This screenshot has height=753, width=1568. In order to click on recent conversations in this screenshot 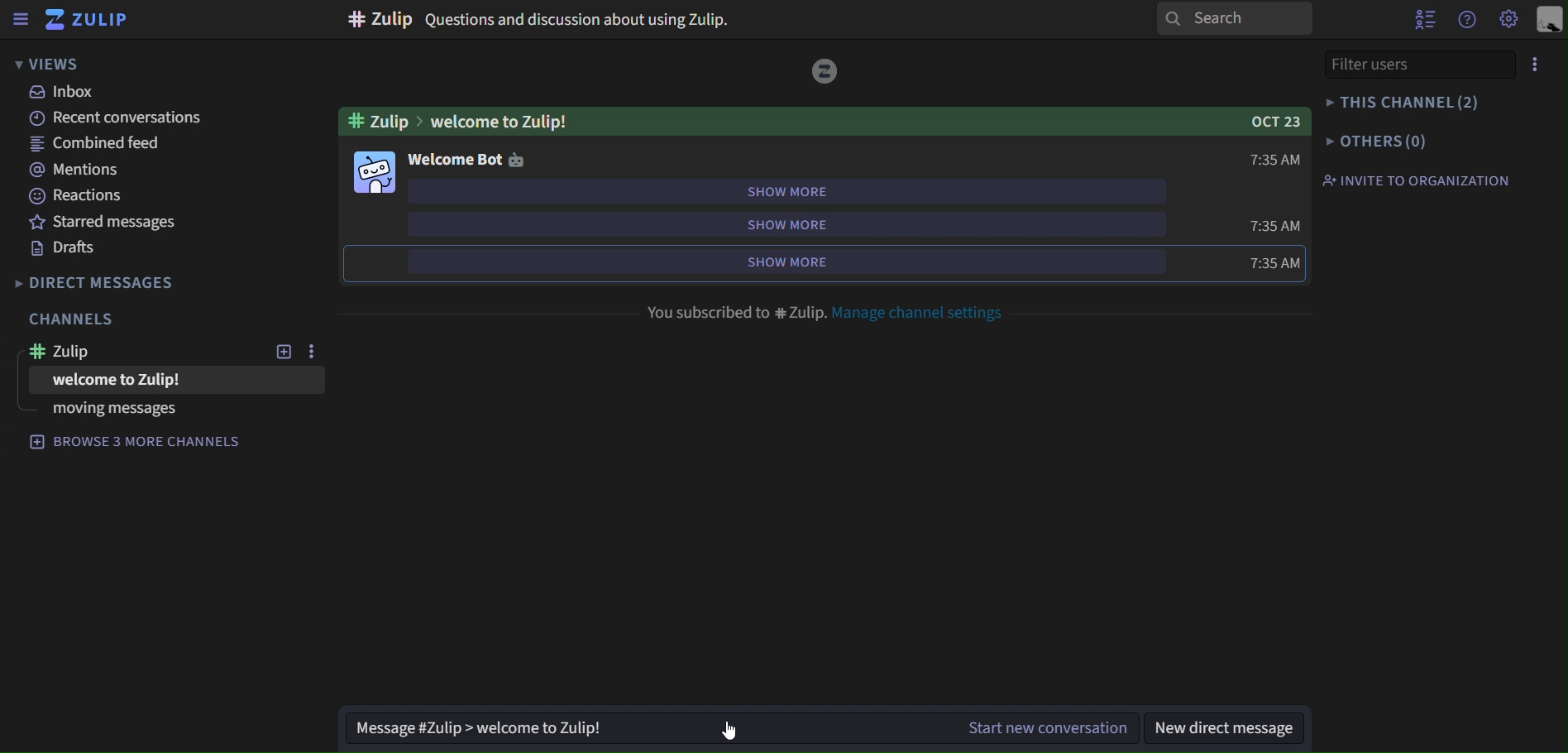, I will do `click(117, 119)`.